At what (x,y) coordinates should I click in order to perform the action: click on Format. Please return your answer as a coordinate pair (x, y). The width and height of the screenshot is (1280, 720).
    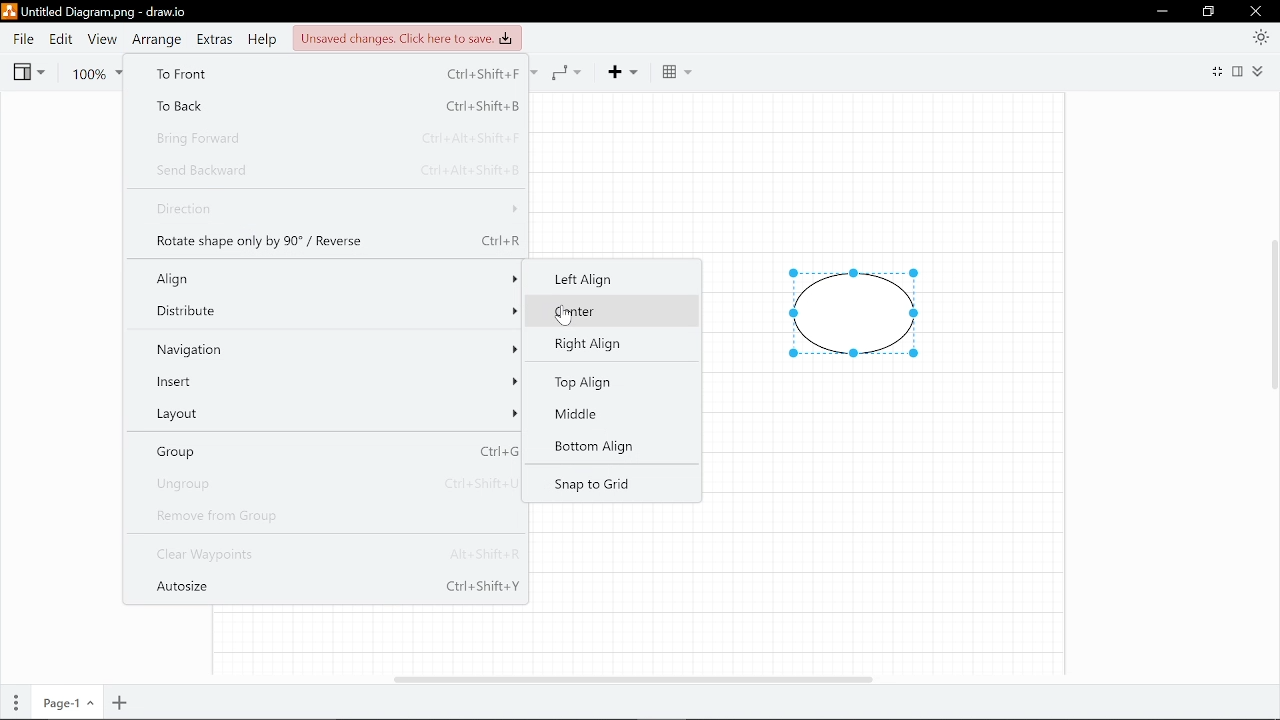
    Looking at the image, I should click on (1240, 71).